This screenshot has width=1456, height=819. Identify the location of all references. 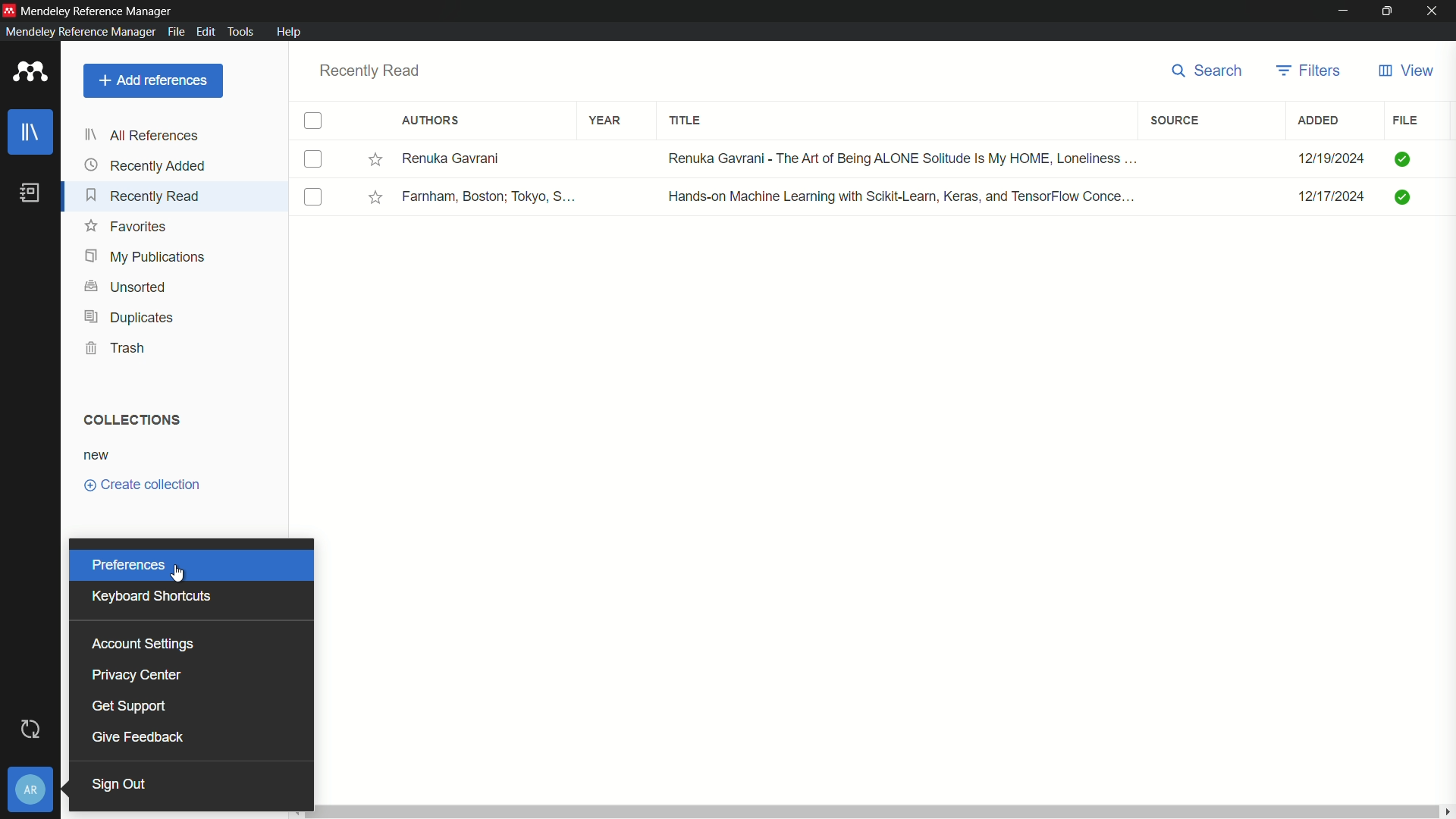
(141, 135).